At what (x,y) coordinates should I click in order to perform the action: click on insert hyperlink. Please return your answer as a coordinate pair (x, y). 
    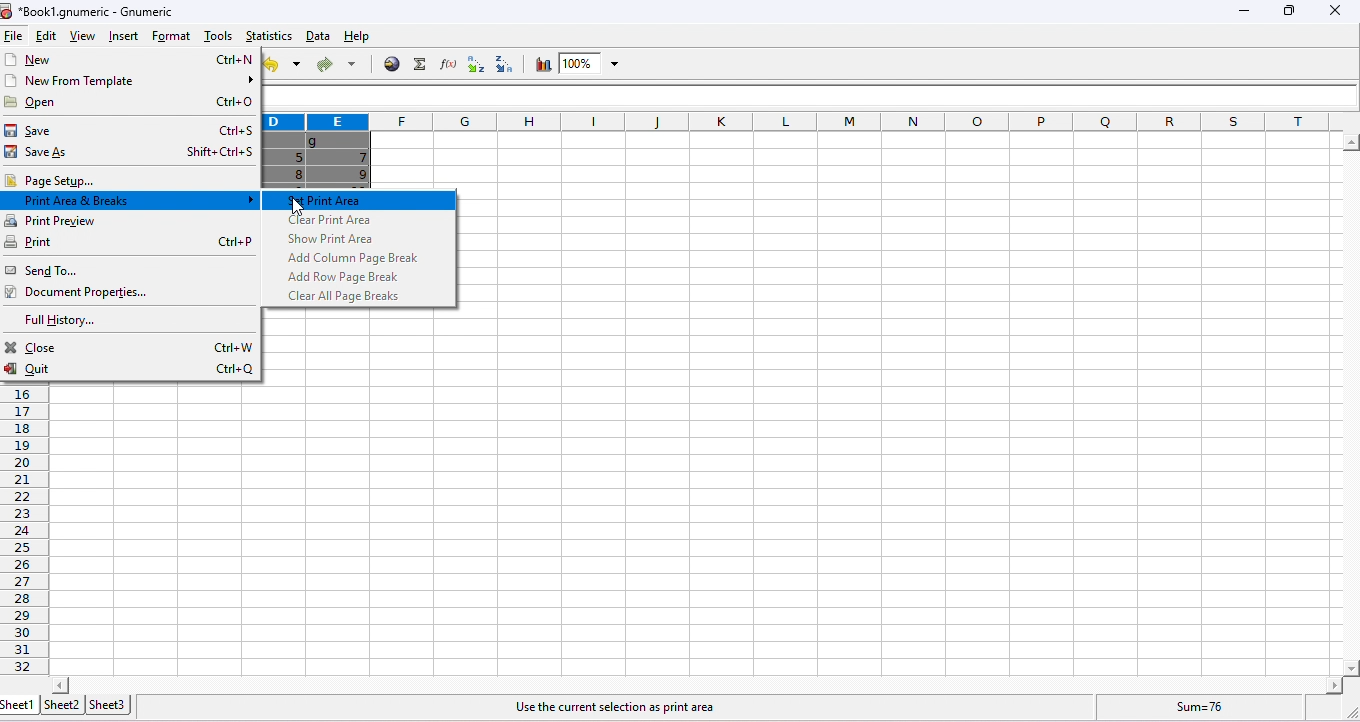
    Looking at the image, I should click on (392, 63).